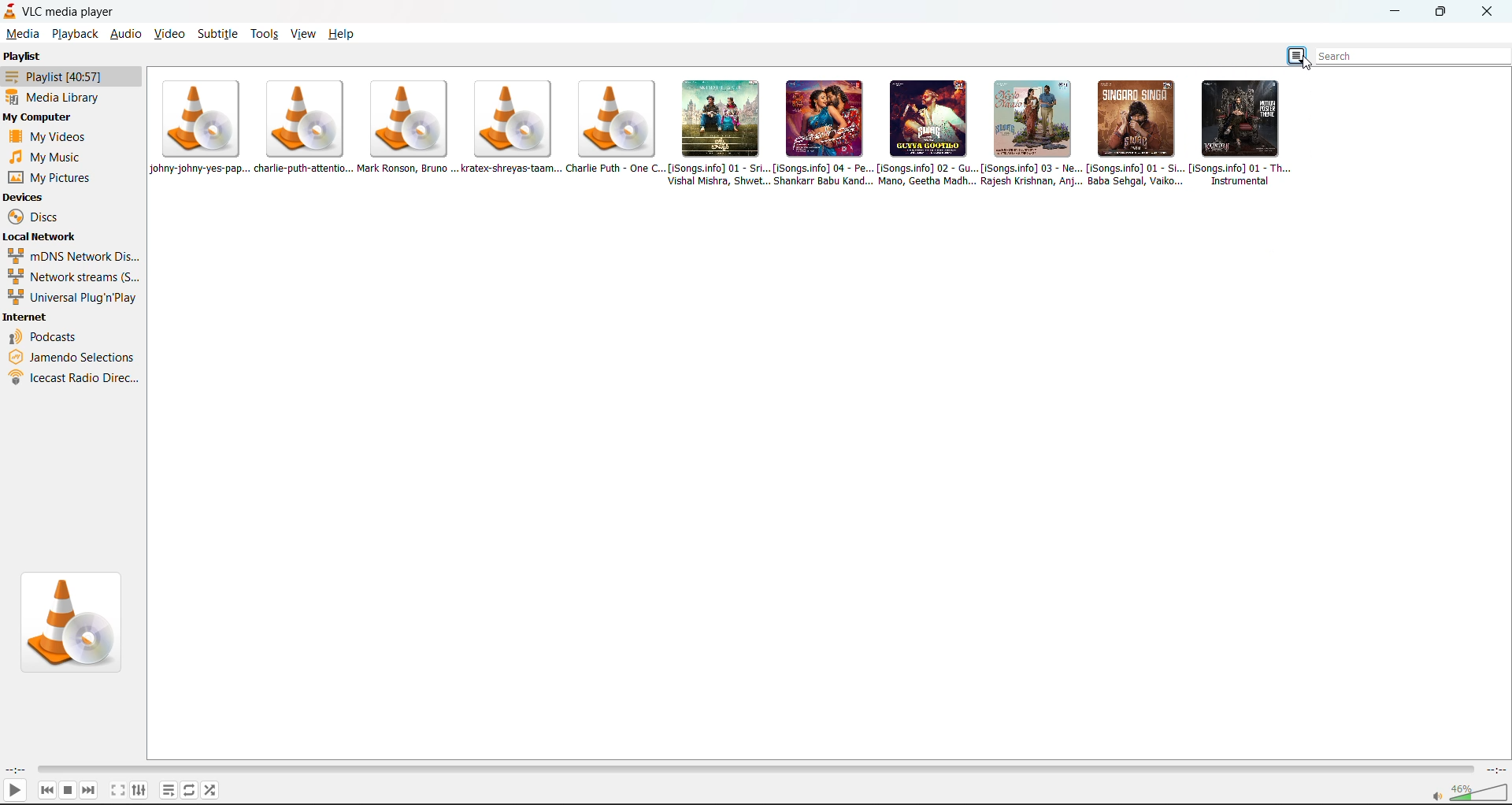  What do you see at coordinates (39, 217) in the screenshot?
I see `discs` at bounding box center [39, 217].